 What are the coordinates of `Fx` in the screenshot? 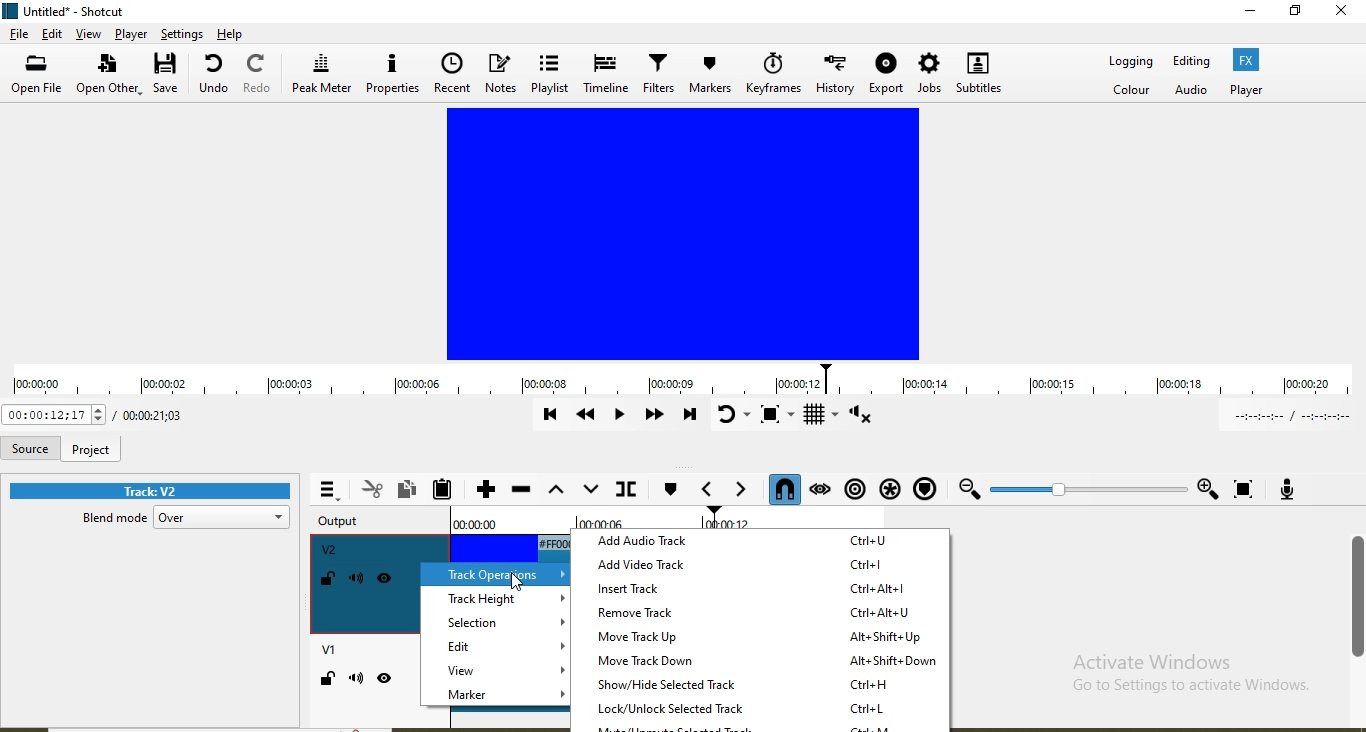 It's located at (1247, 60).